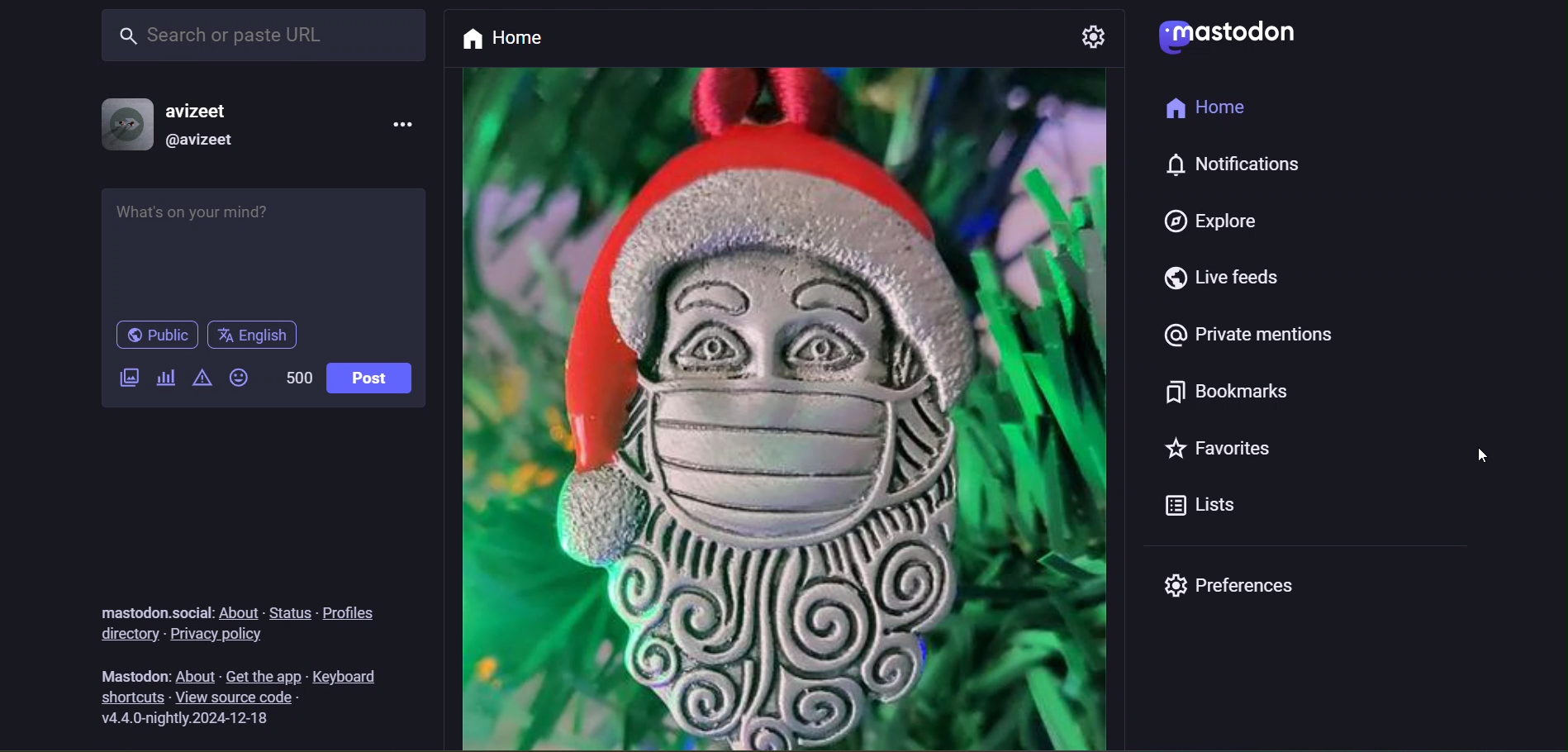  What do you see at coordinates (367, 674) in the screenshot?
I see `keyboard` at bounding box center [367, 674].